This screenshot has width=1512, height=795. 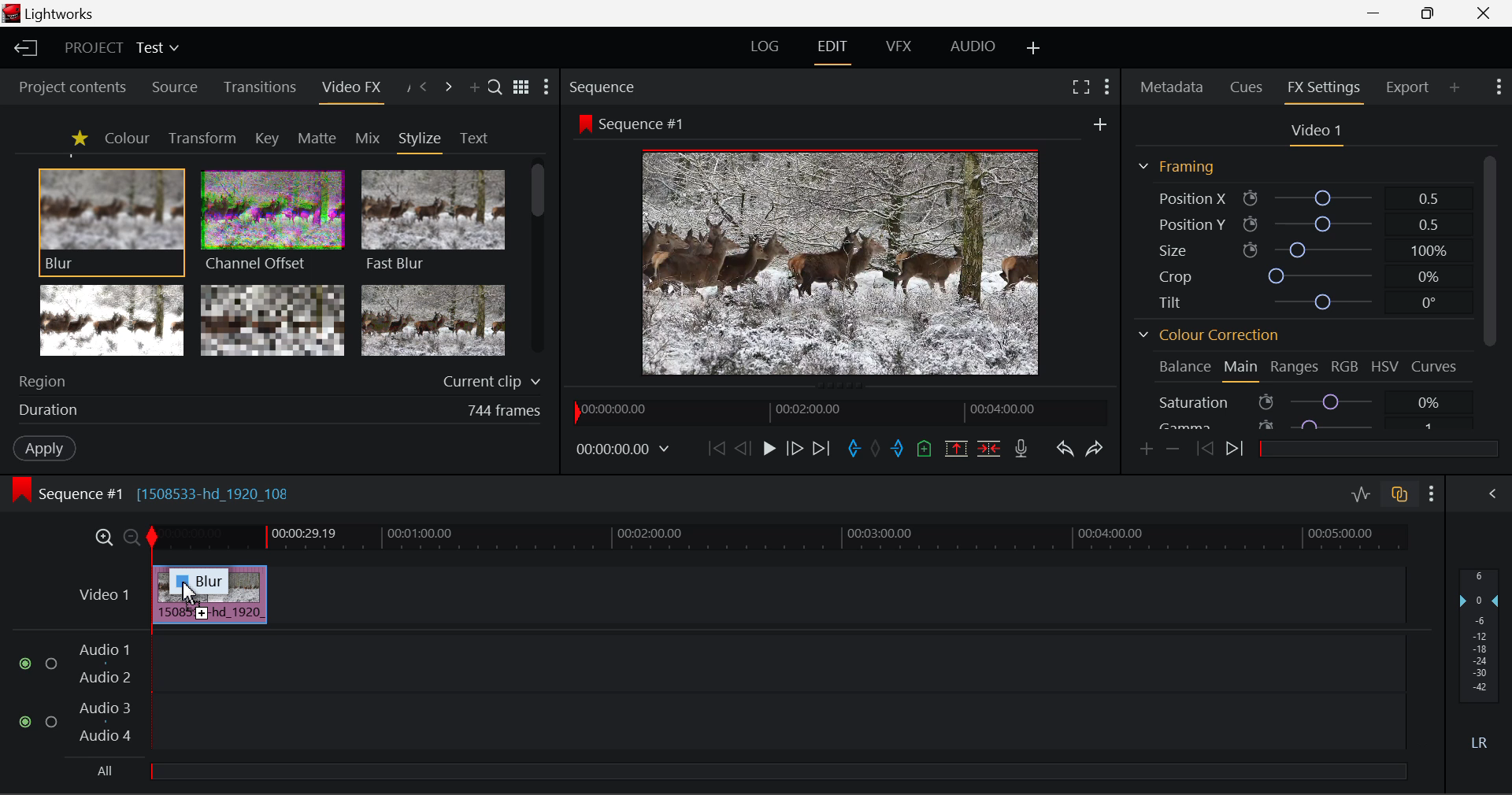 What do you see at coordinates (770, 48) in the screenshot?
I see `LOG Layout` at bounding box center [770, 48].